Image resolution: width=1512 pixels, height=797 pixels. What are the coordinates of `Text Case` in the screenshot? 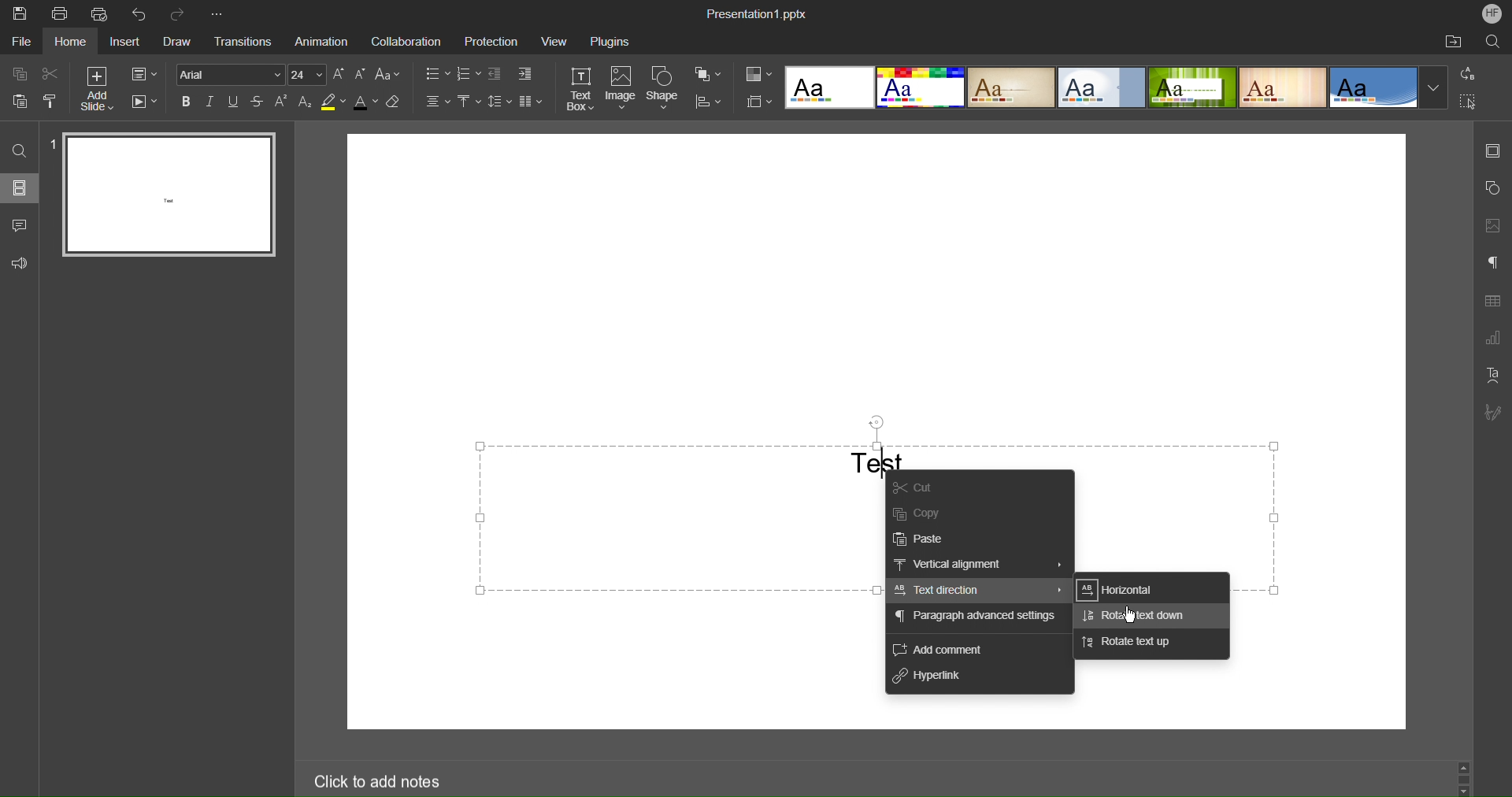 It's located at (389, 74).